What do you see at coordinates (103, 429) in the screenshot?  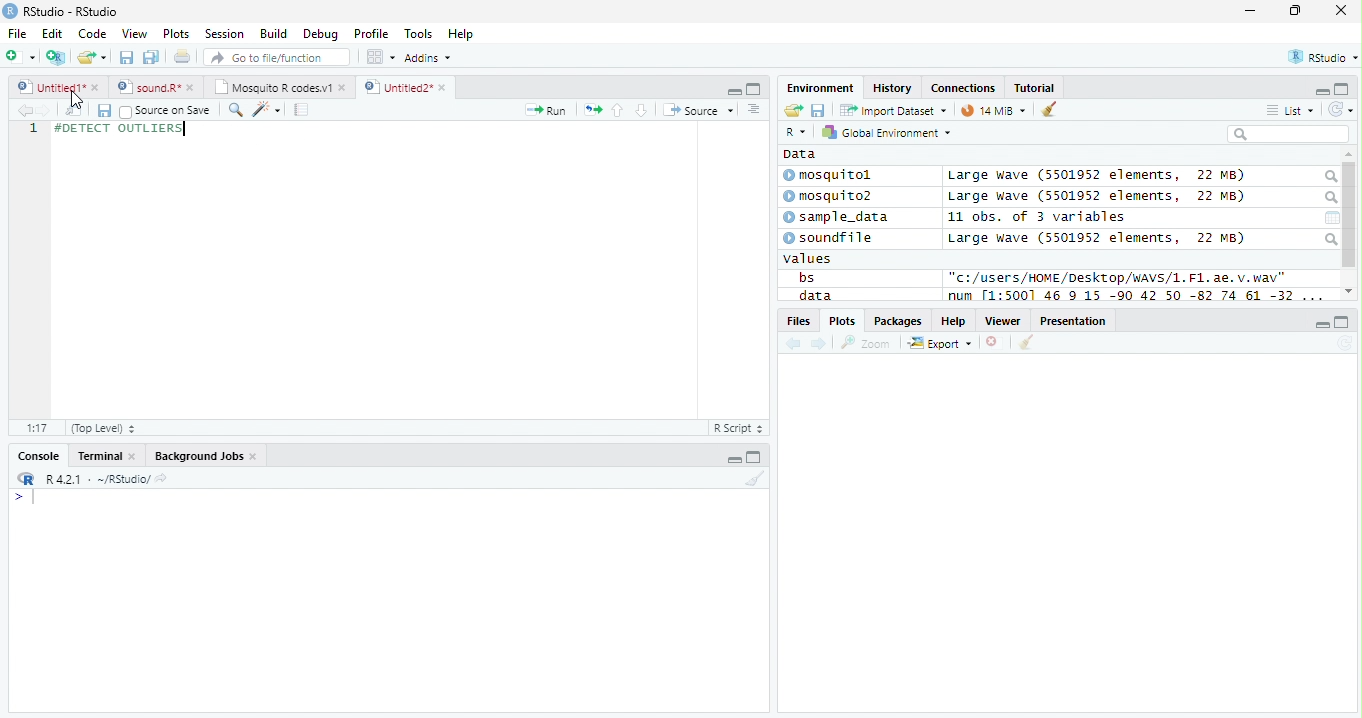 I see `(Top Level)` at bounding box center [103, 429].